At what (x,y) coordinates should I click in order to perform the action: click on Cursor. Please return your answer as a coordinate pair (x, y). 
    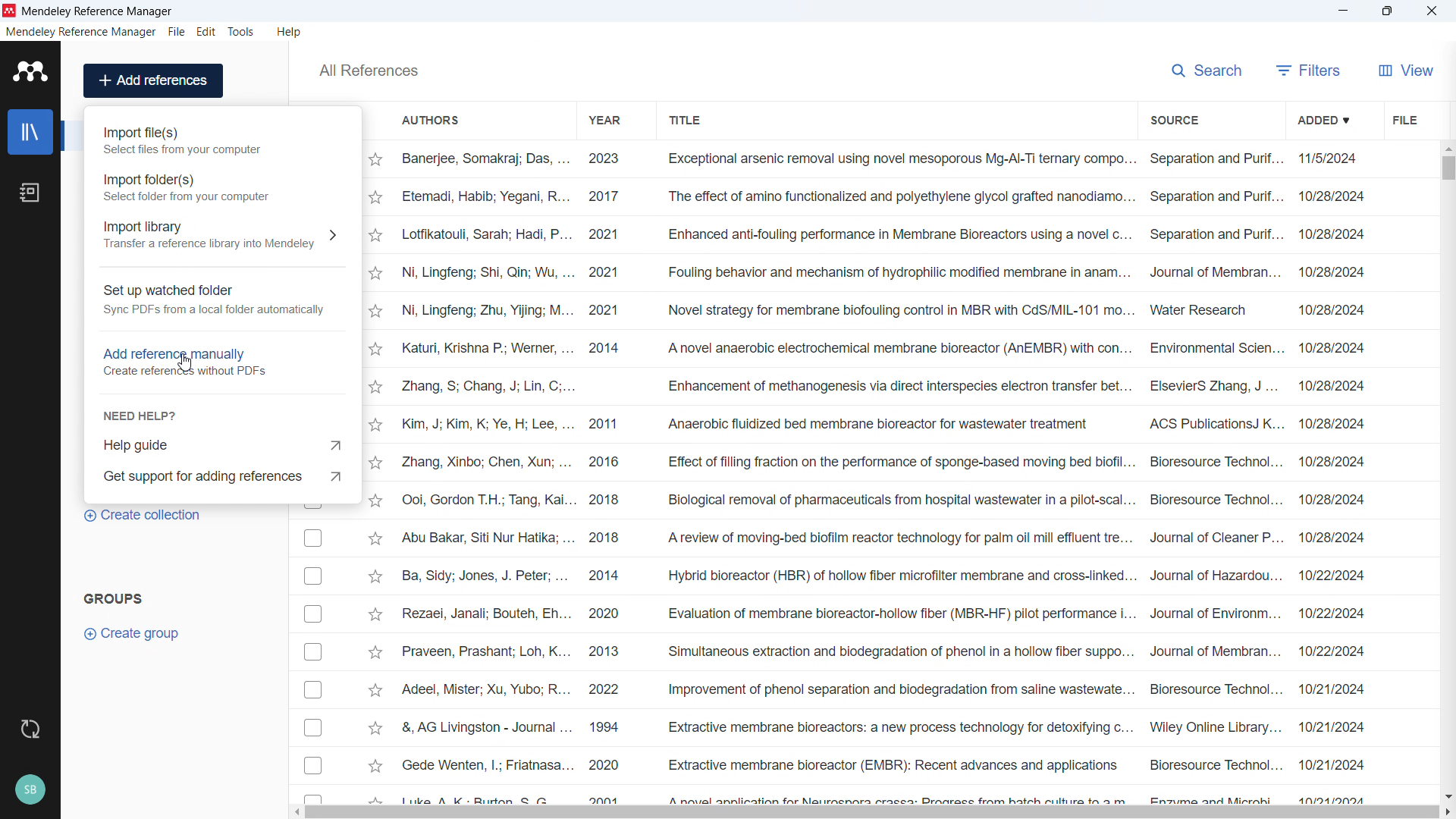
    Looking at the image, I should click on (185, 362).